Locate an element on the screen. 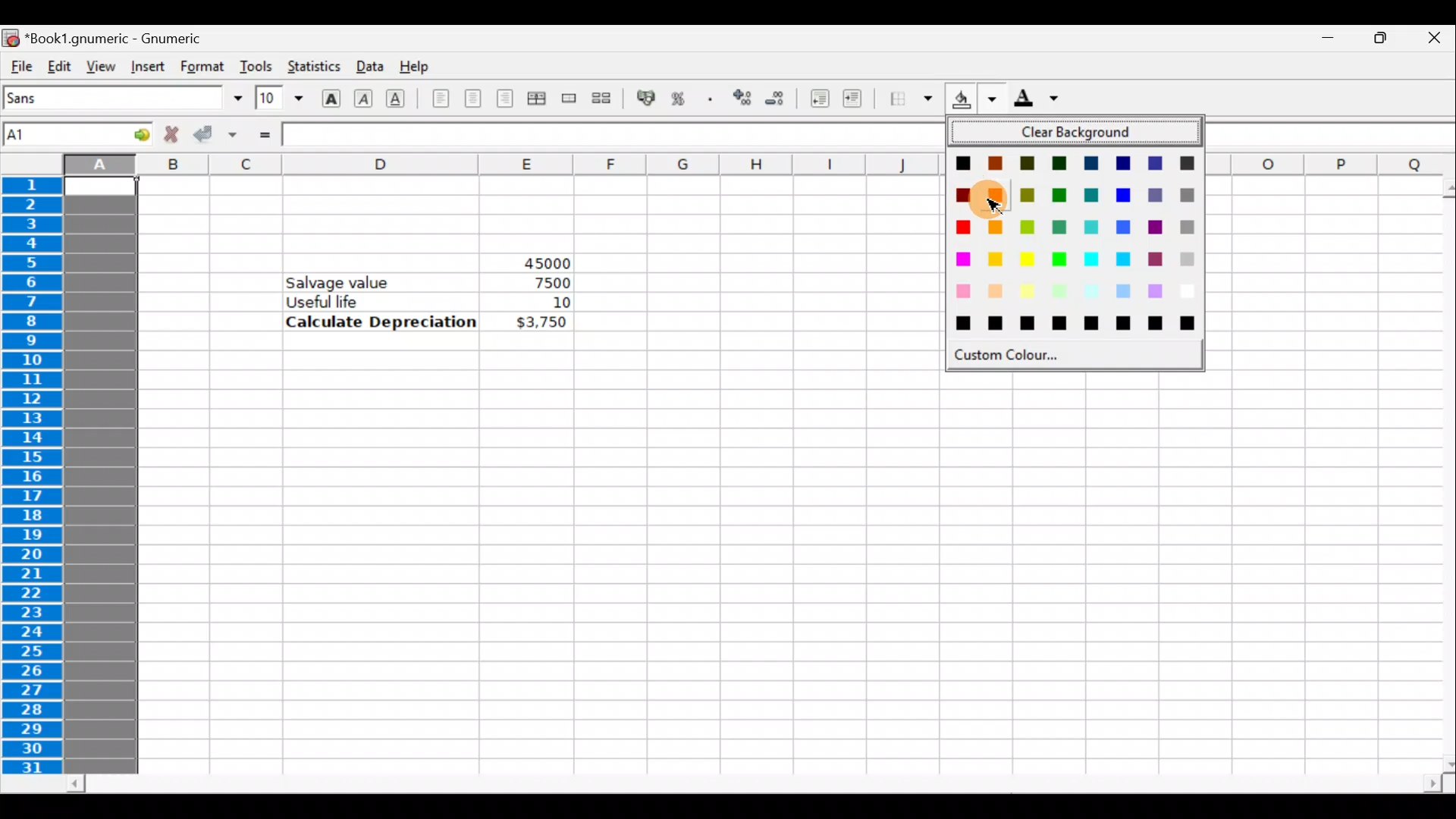  Clear background is located at coordinates (1081, 133).